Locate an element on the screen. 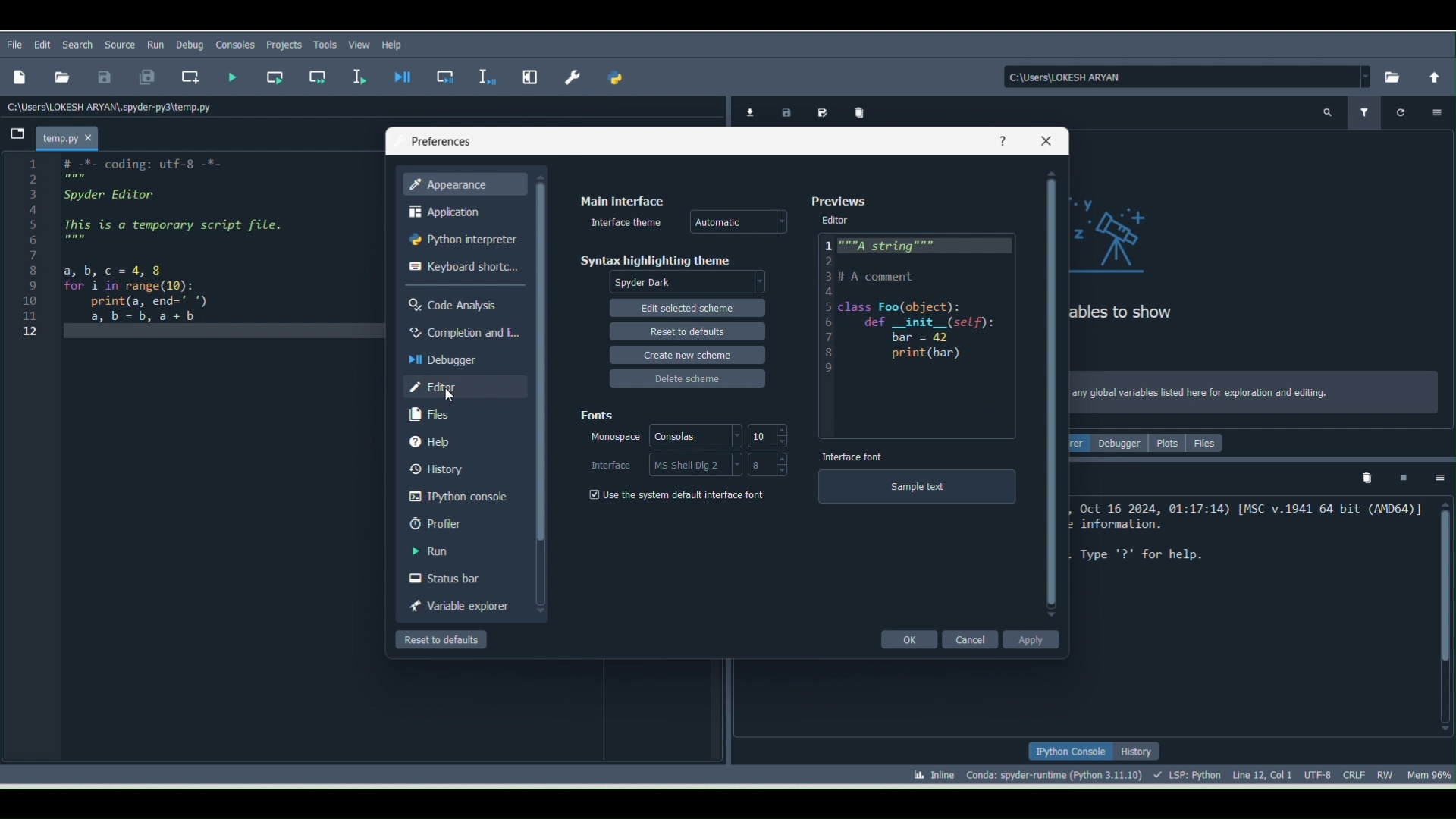 This screenshot has height=819, width=1456. Cursor is located at coordinates (446, 396).